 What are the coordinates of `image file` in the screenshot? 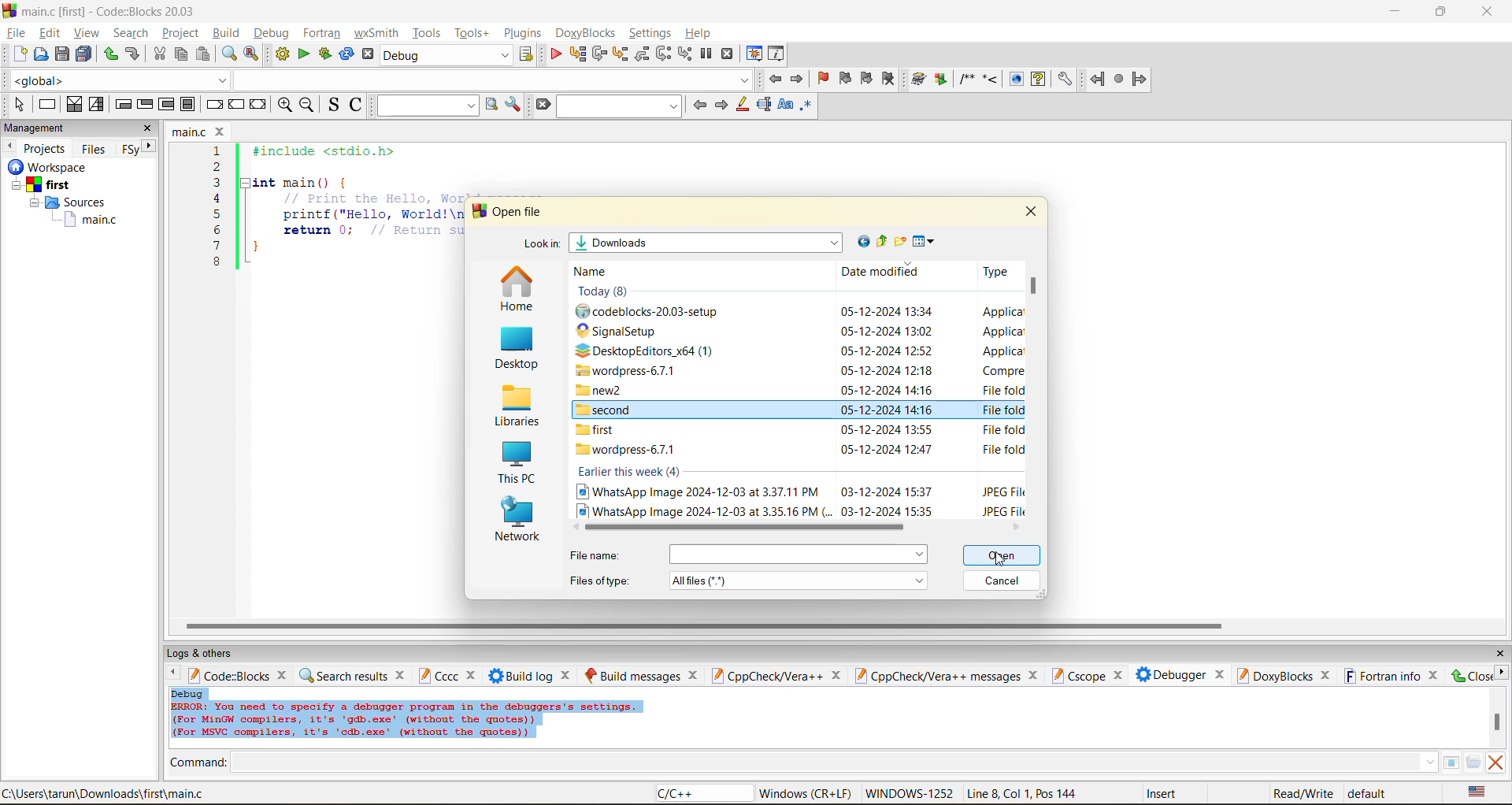 It's located at (697, 492).